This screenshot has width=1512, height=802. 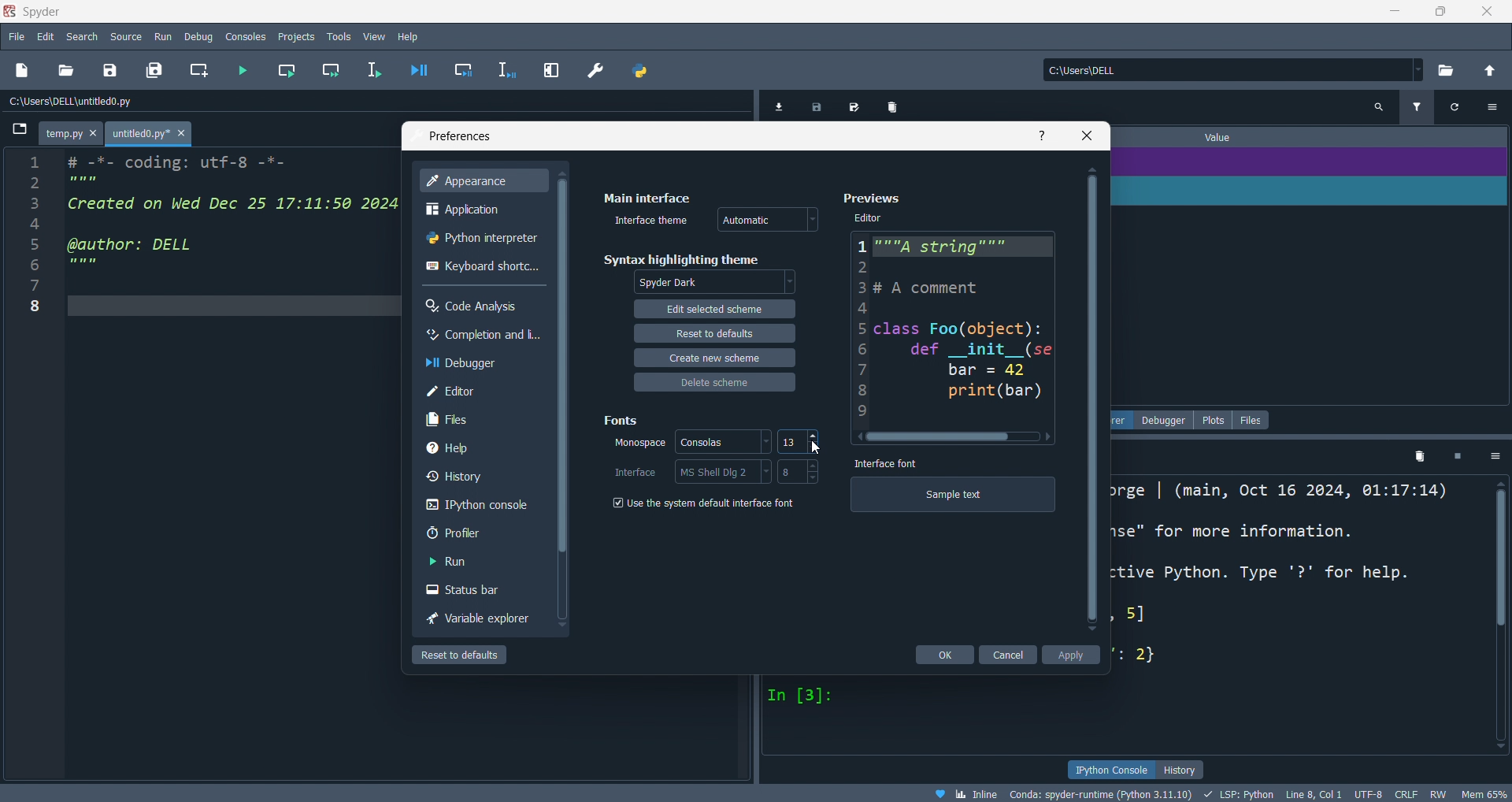 What do you see at coordinates (819, 103) in the screenshot?
I see `save` at bounding box center [819, 103].